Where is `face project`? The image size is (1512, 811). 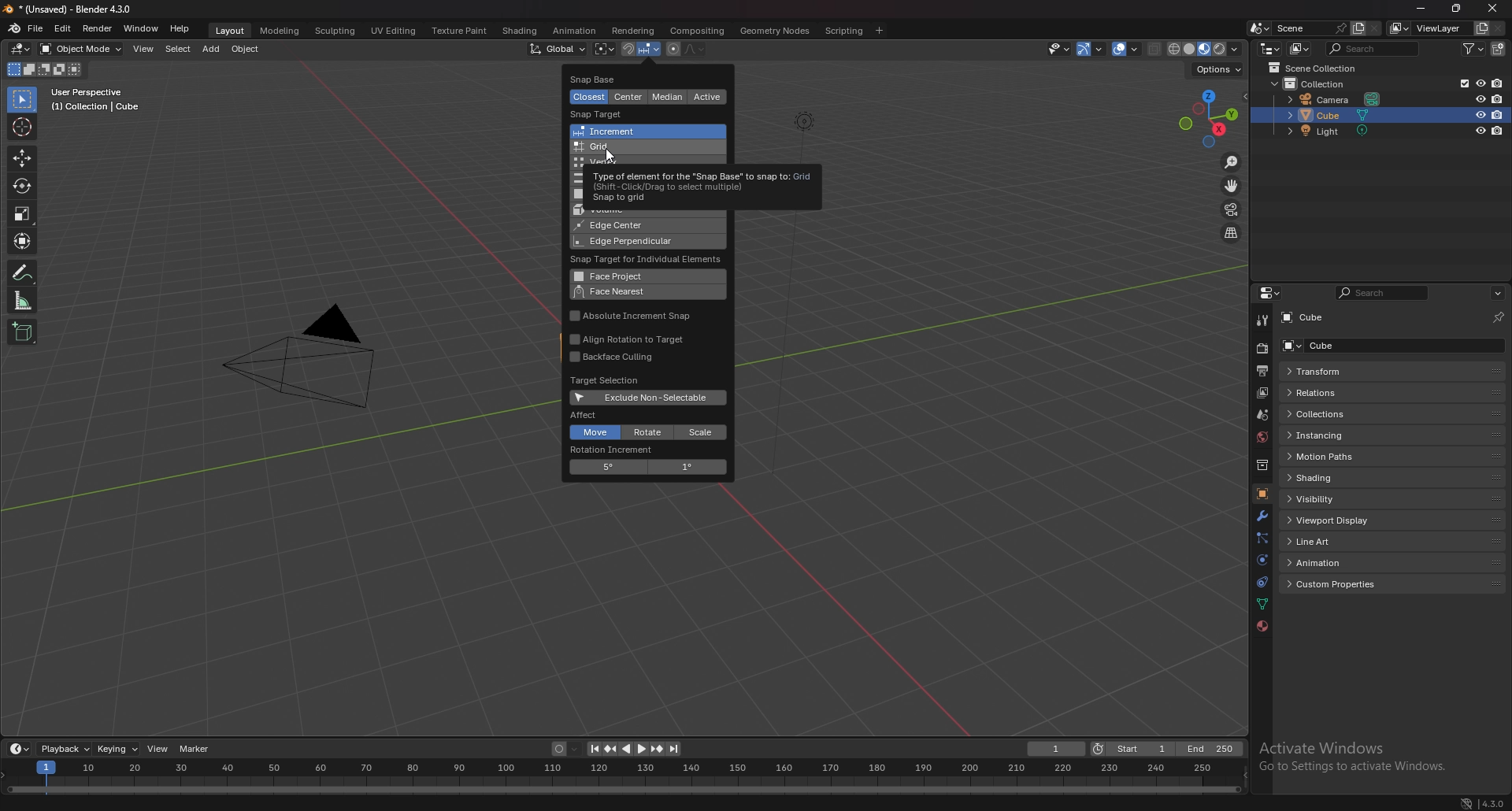
face project is located at coordinates (638, 276).